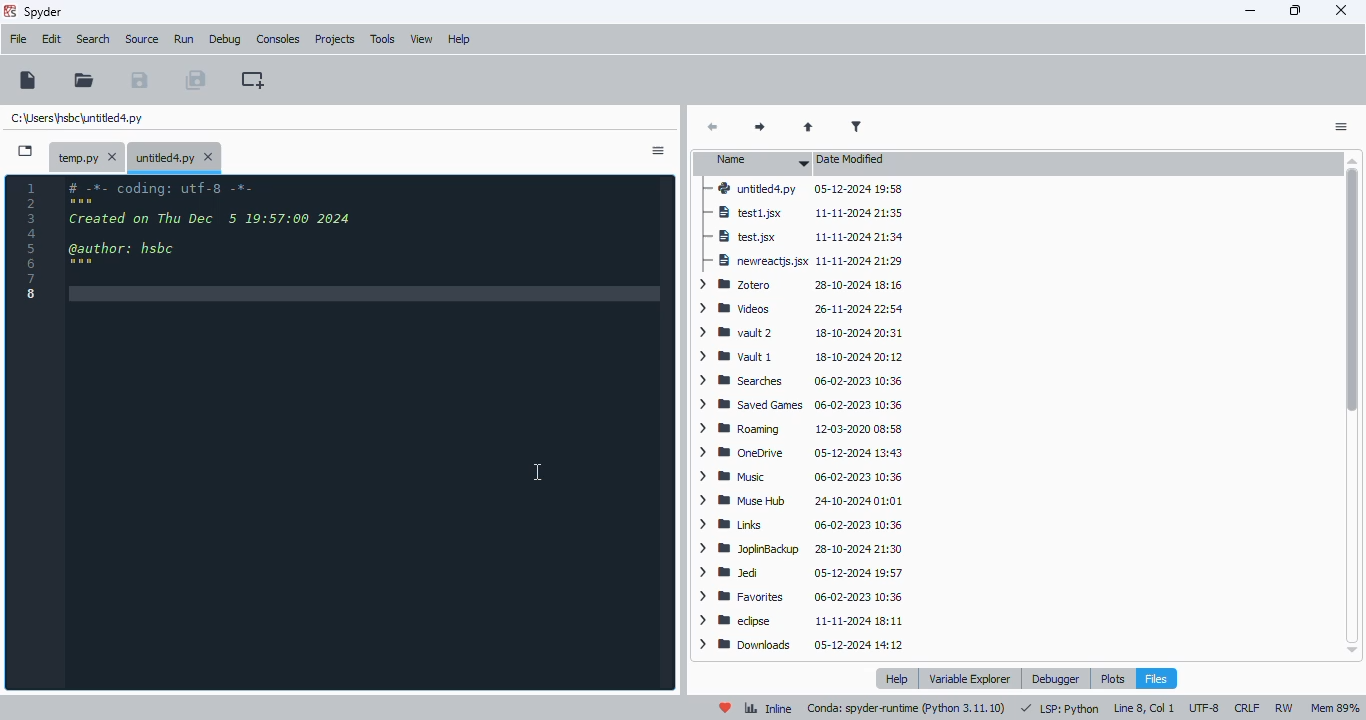 The width and height of the screenshot is (1366, 720). Describe the element at coordinates (809, 127) in the screenshot. I see `parent` at that location.